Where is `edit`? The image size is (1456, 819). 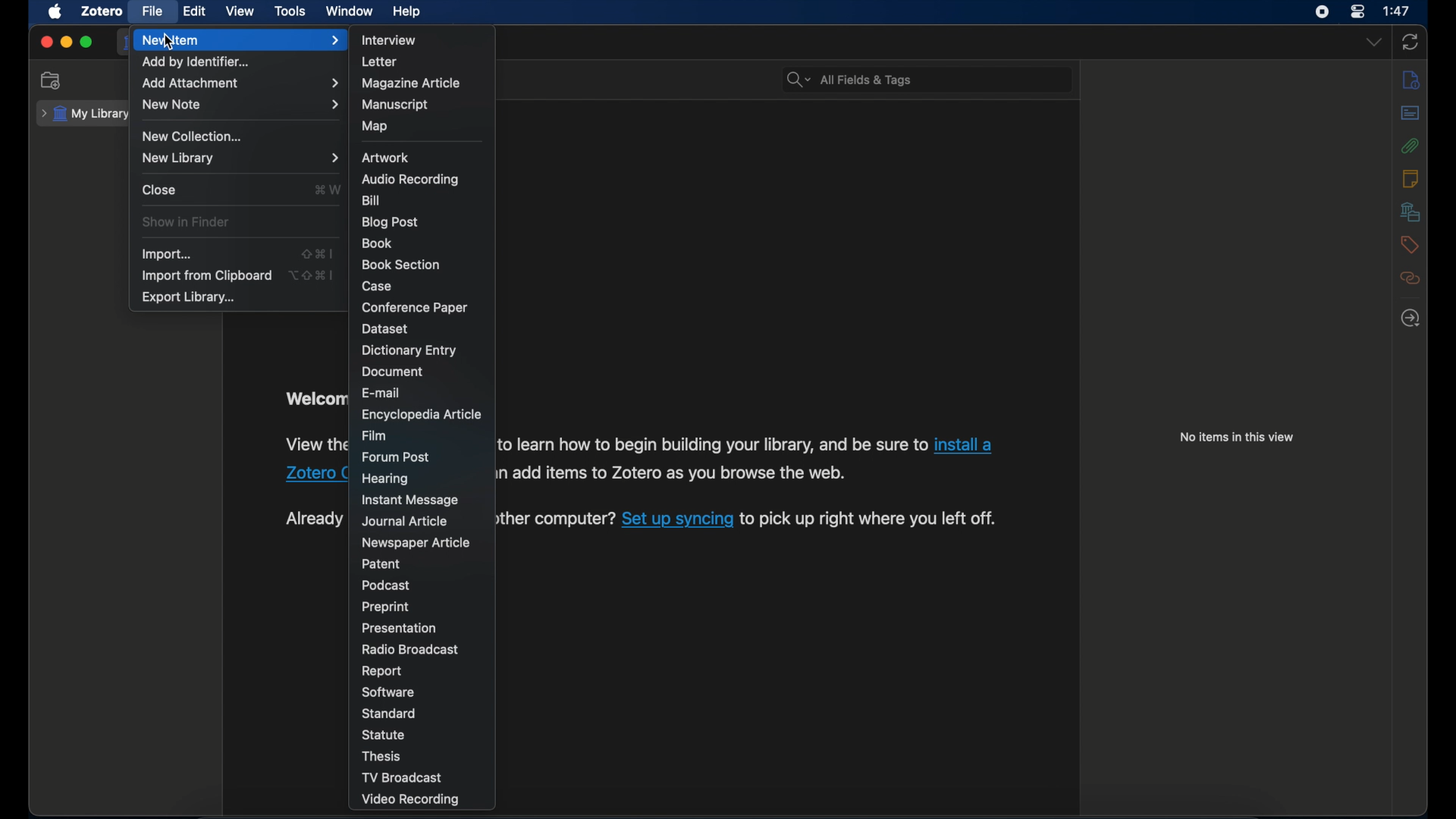 edit is located at coordinates (194, 11).